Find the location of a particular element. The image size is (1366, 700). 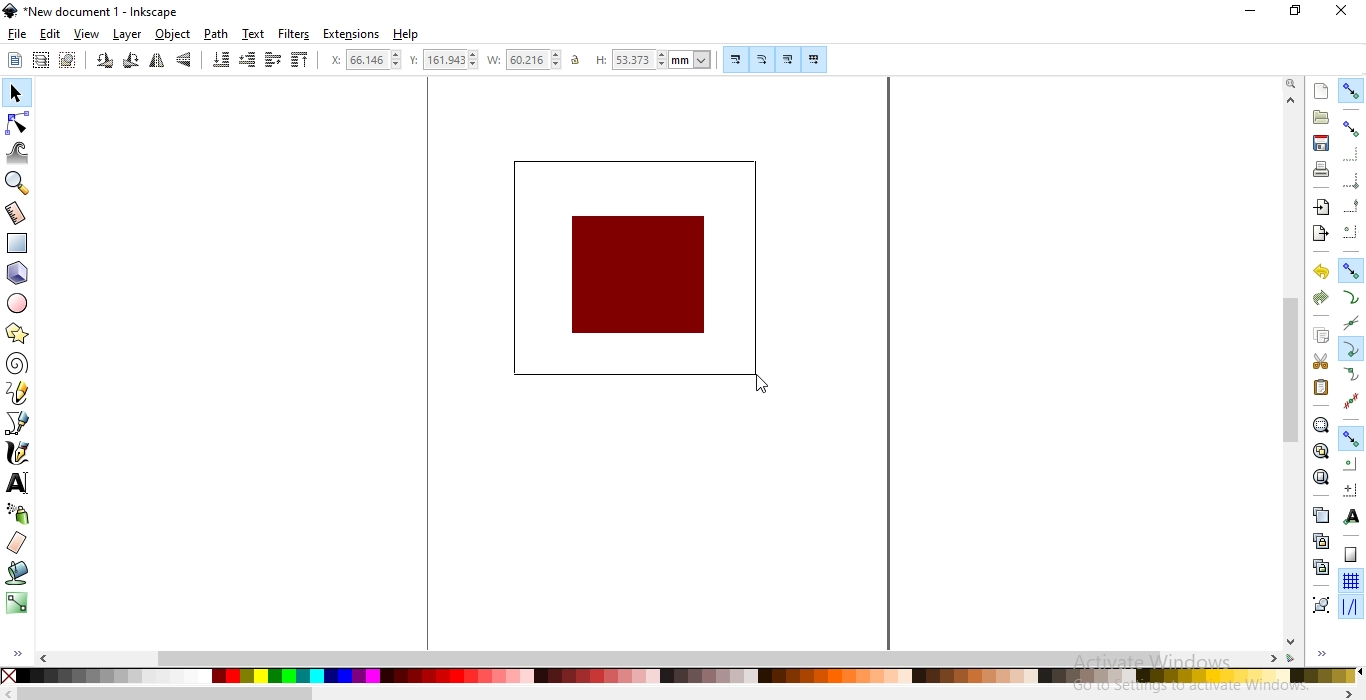

minimize is located at coordinates (1252, 12).